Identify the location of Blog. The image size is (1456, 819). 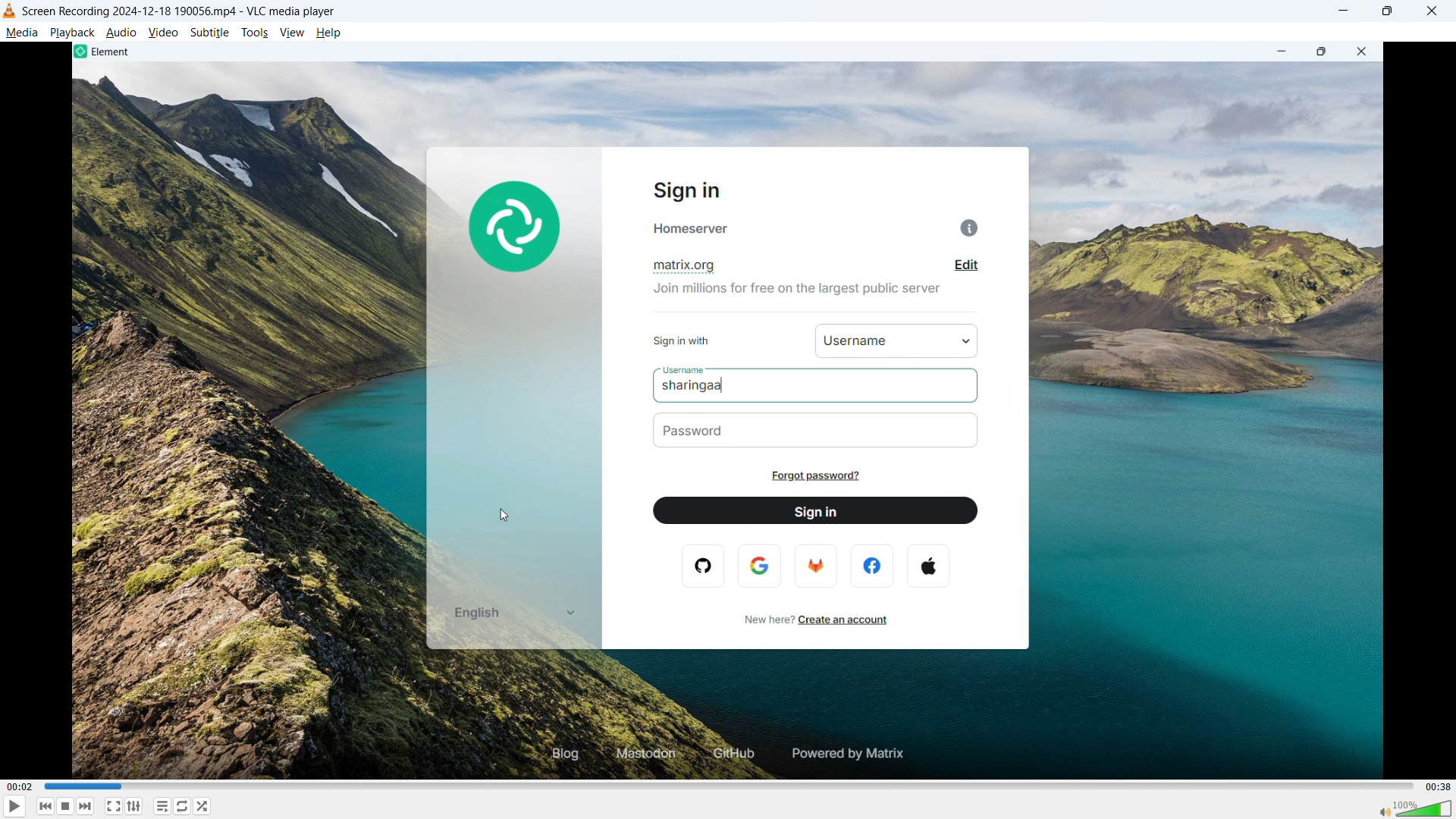
(554, 755).